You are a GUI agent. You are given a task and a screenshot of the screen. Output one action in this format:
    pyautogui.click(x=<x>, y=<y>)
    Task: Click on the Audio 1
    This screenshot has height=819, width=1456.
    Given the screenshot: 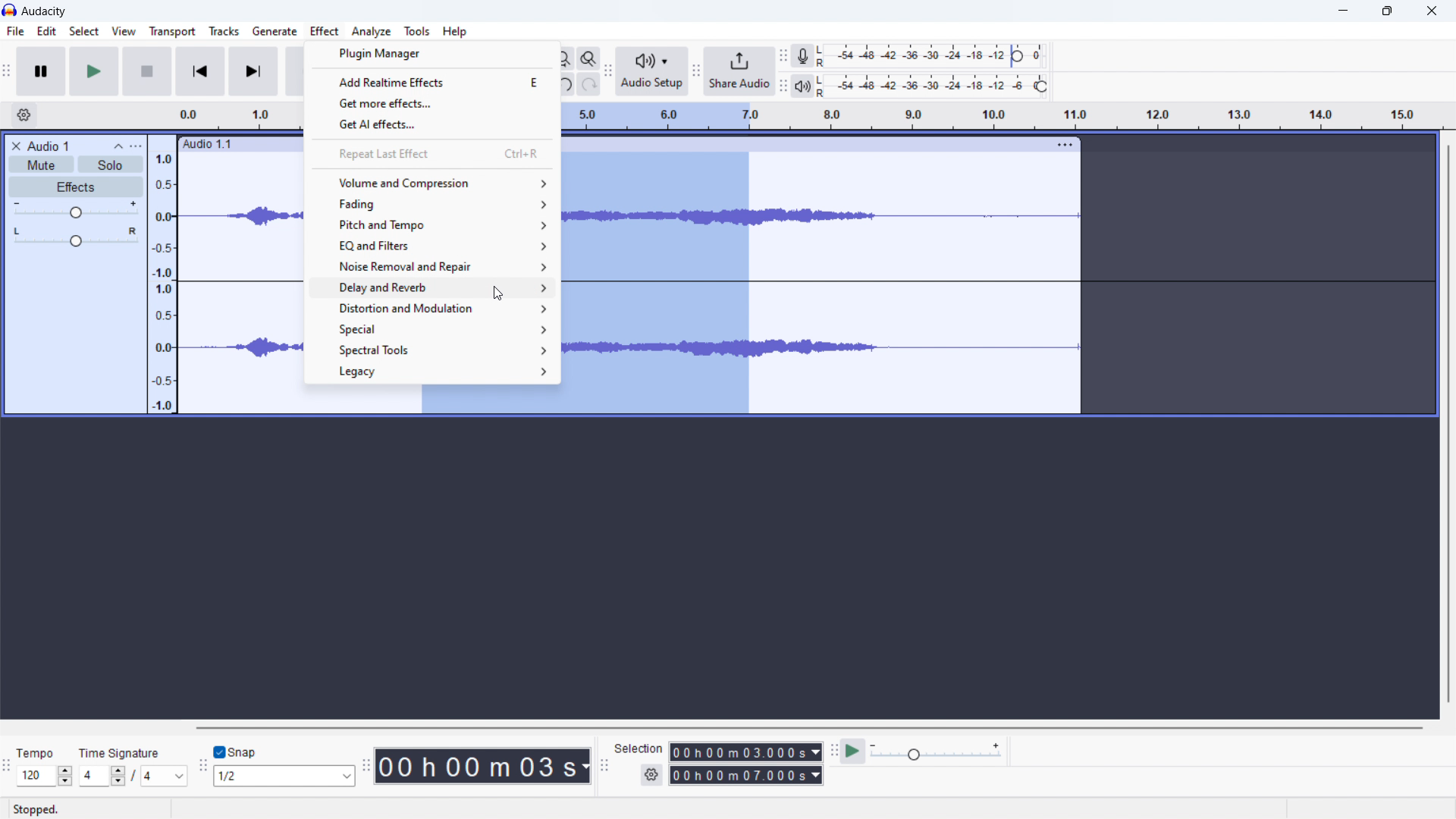 What is the action you would take?
    pyautogui.click(x=49, y=145)
    